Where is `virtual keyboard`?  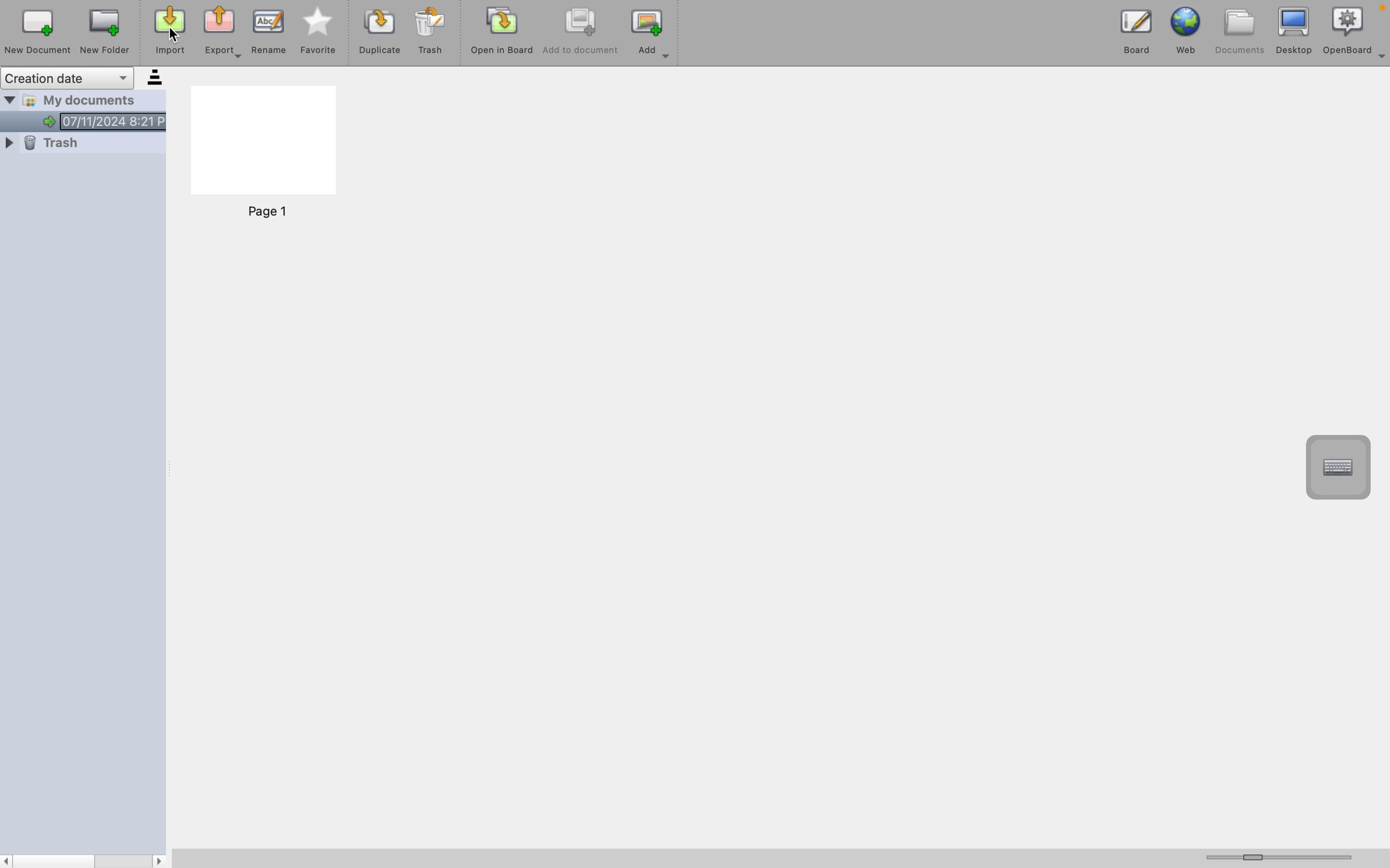 virtual keyboard is located at coordinates (1340, 467).